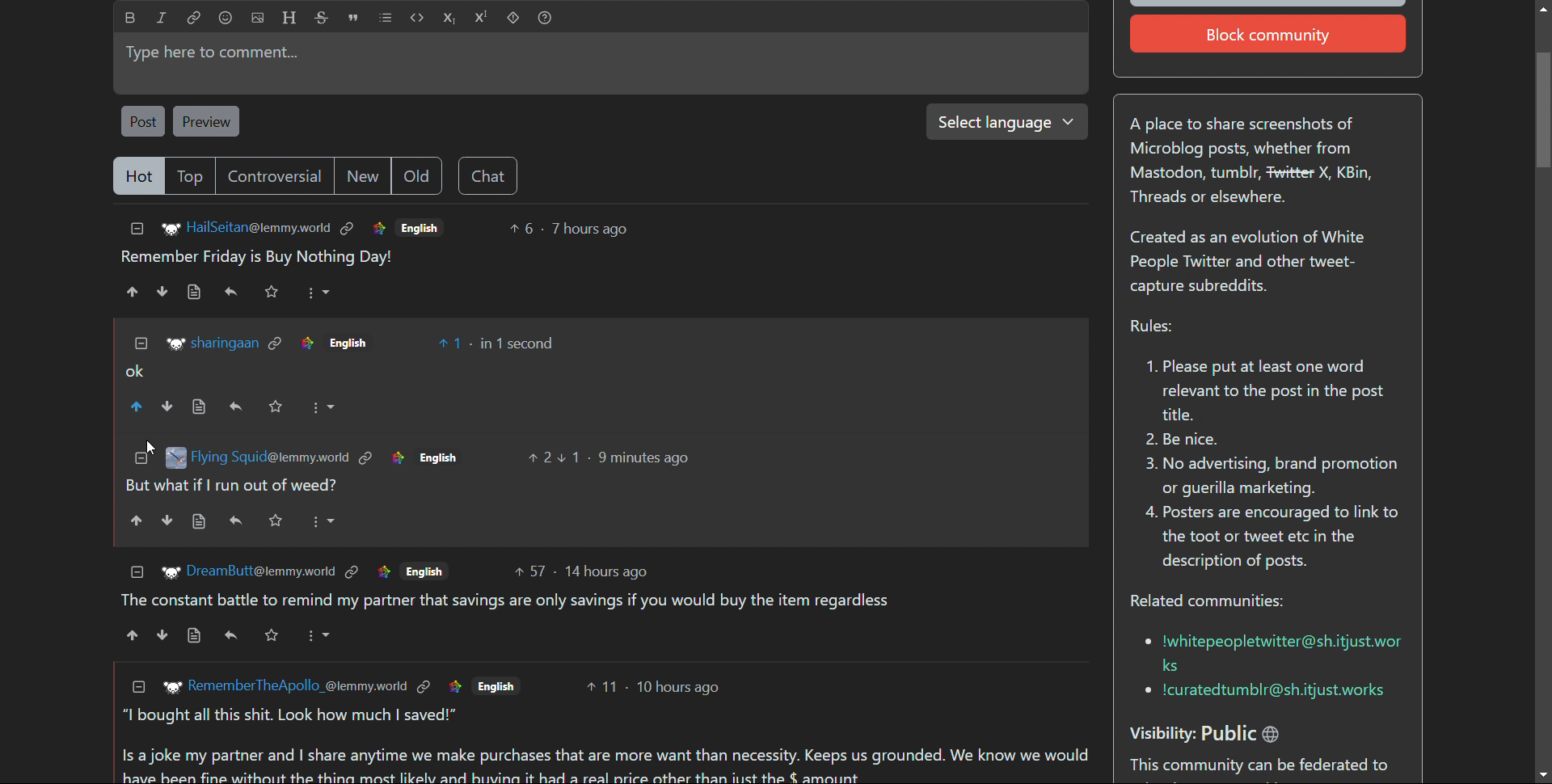 Image resolution: width=1552 pixels, height=784 pixels. Describe the element at coordinates (497, 687) in the screenshot. I see `language` at that location.